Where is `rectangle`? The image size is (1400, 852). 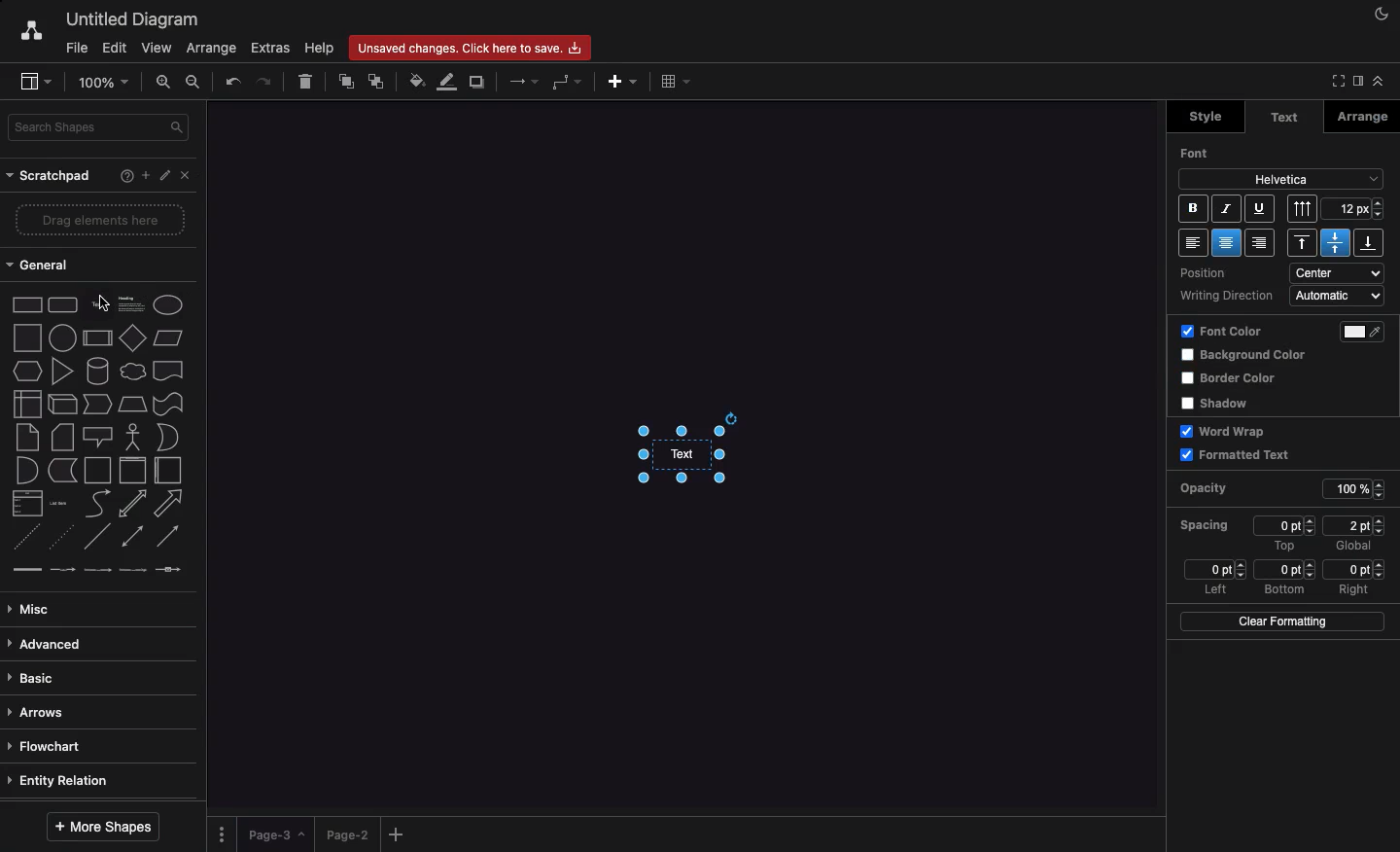 rectangle is located at coordinates (28, 304).